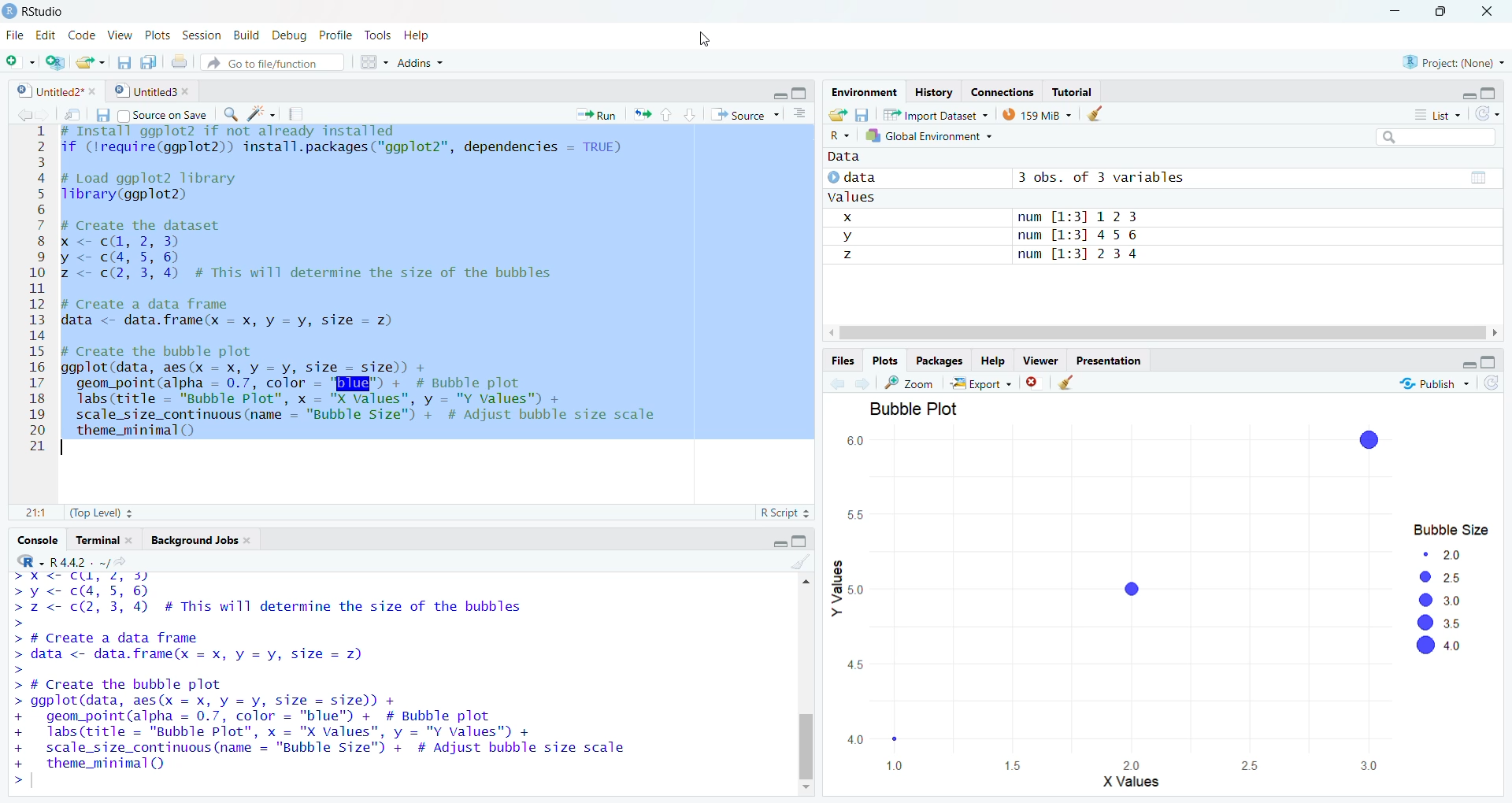  I want to click on Data
© data 3 obs. of 3 variables om
values

x num [1:3] 12 3

y num [1:3] 456

z num [1:3] 2 3 4, so click(1152, 221).